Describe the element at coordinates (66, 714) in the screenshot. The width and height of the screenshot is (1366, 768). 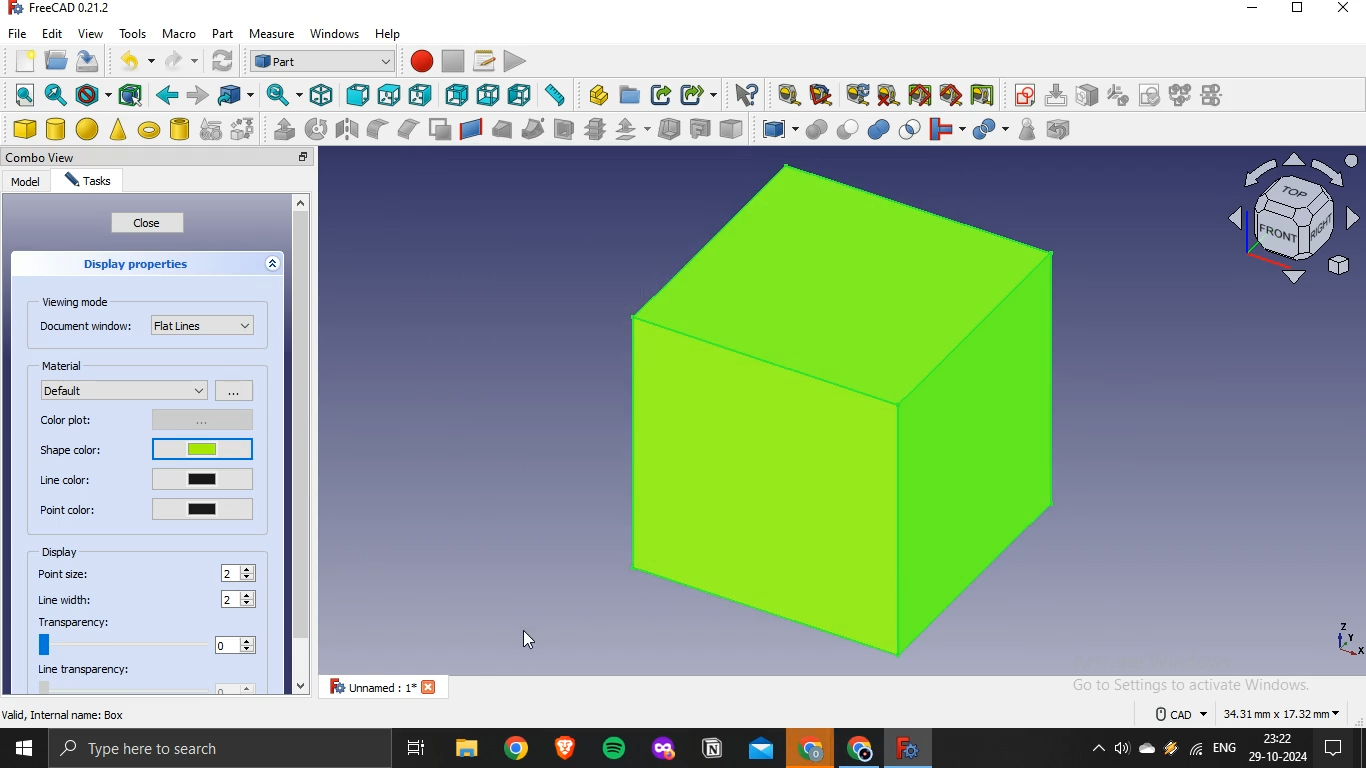
I see `text` at that location.